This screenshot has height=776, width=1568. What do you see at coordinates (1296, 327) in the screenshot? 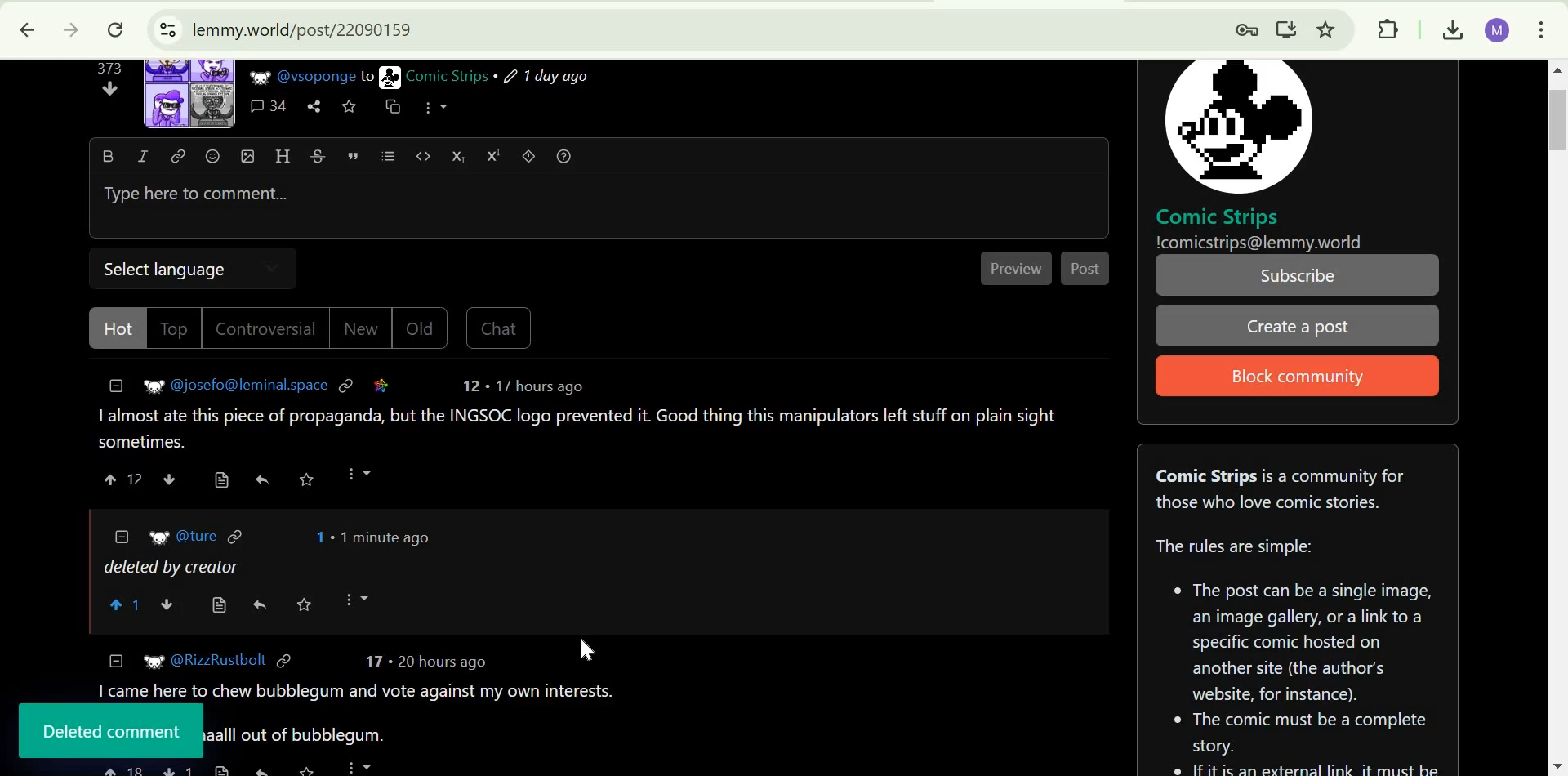
I see `create a post` at bounding box center [1296, 327].